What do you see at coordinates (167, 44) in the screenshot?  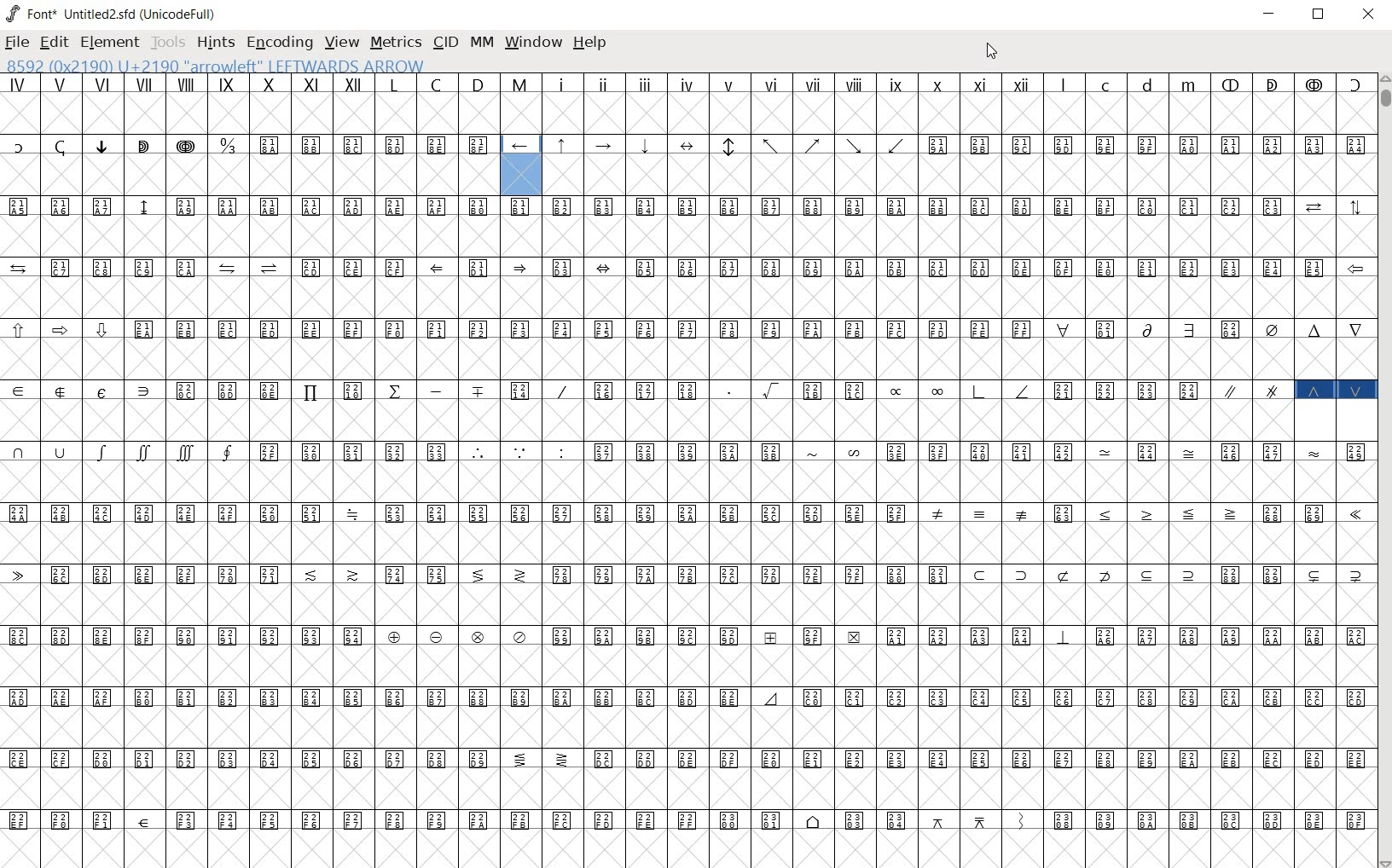 I see `tools` at bounding box center [167, 44].